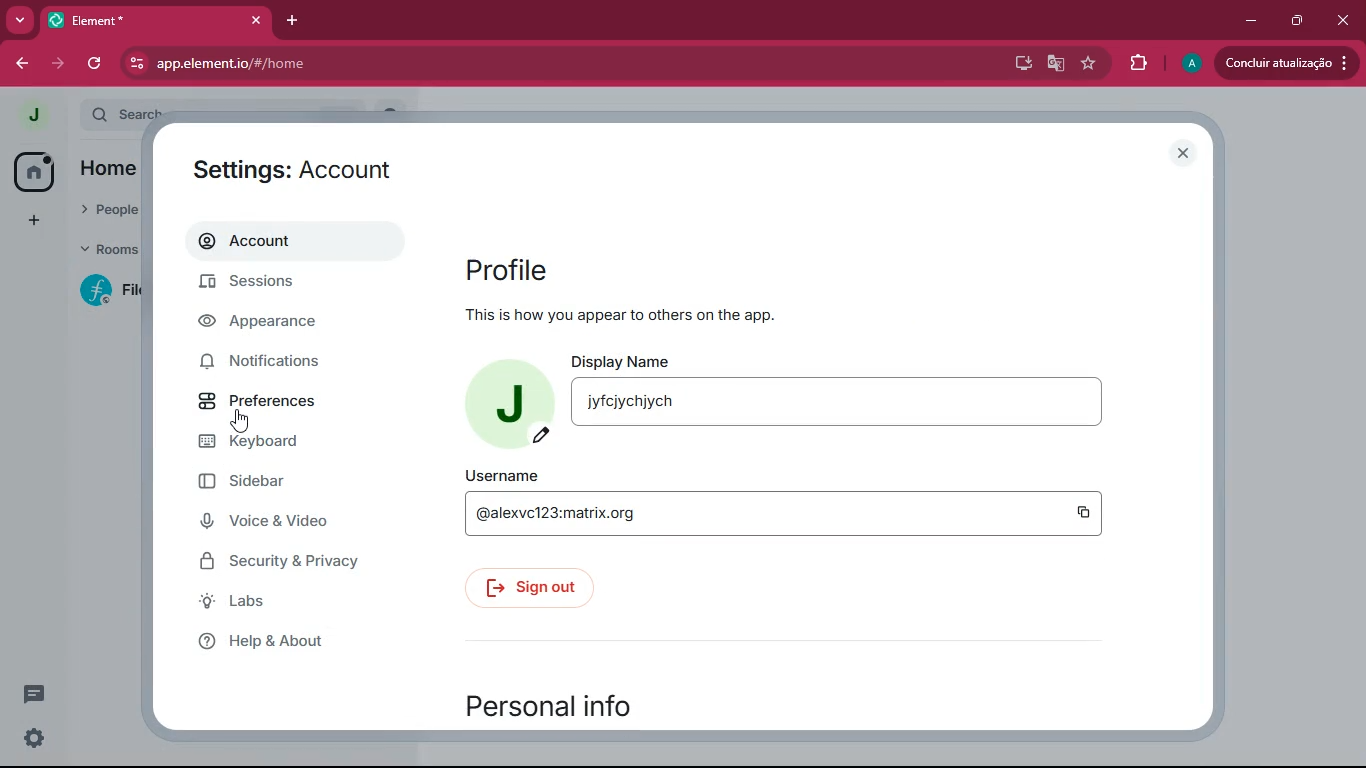  I want to click on desktop, so click(1022, 65).